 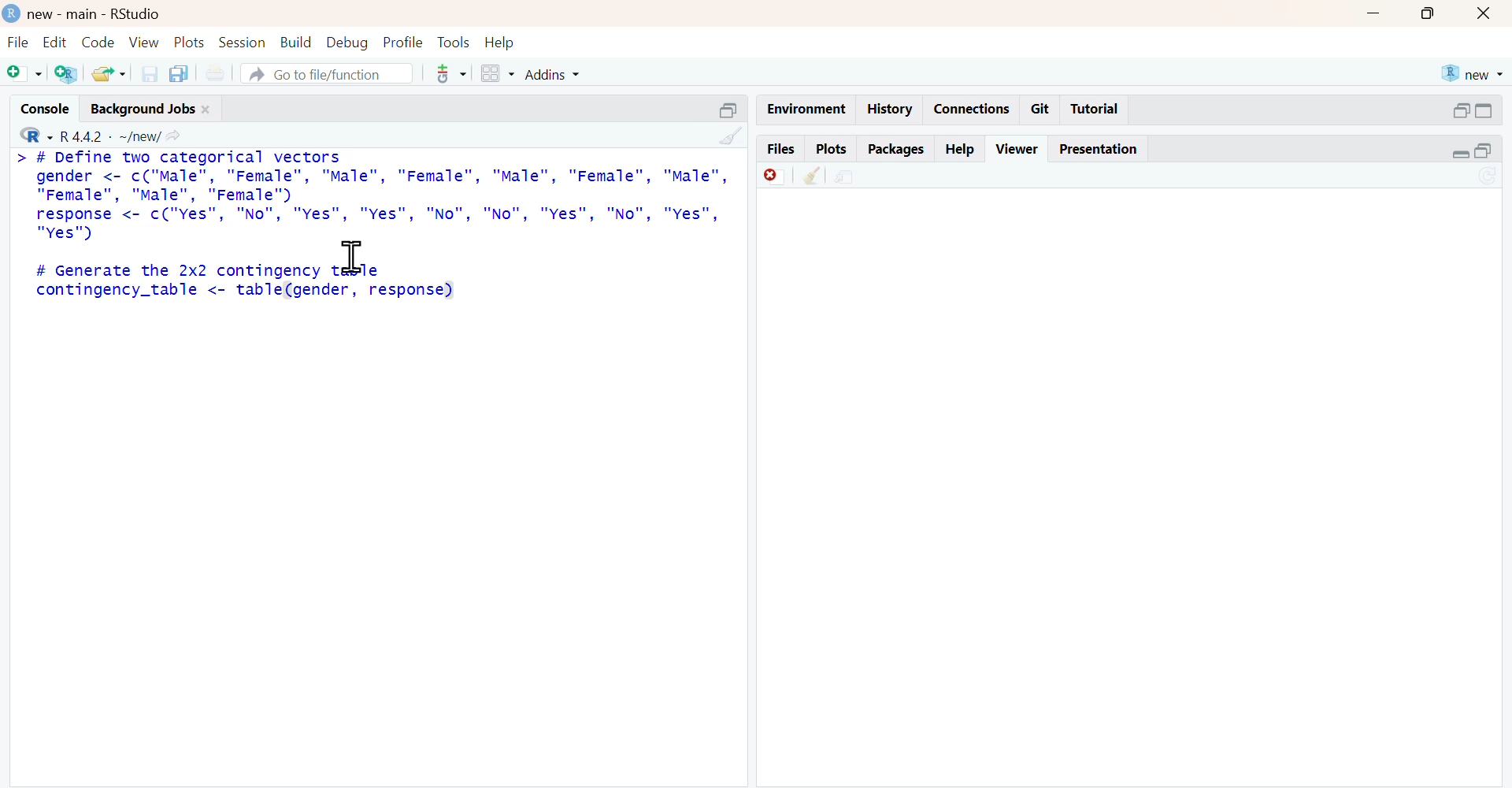 I want to click on debug, so click(x=347, y=43).